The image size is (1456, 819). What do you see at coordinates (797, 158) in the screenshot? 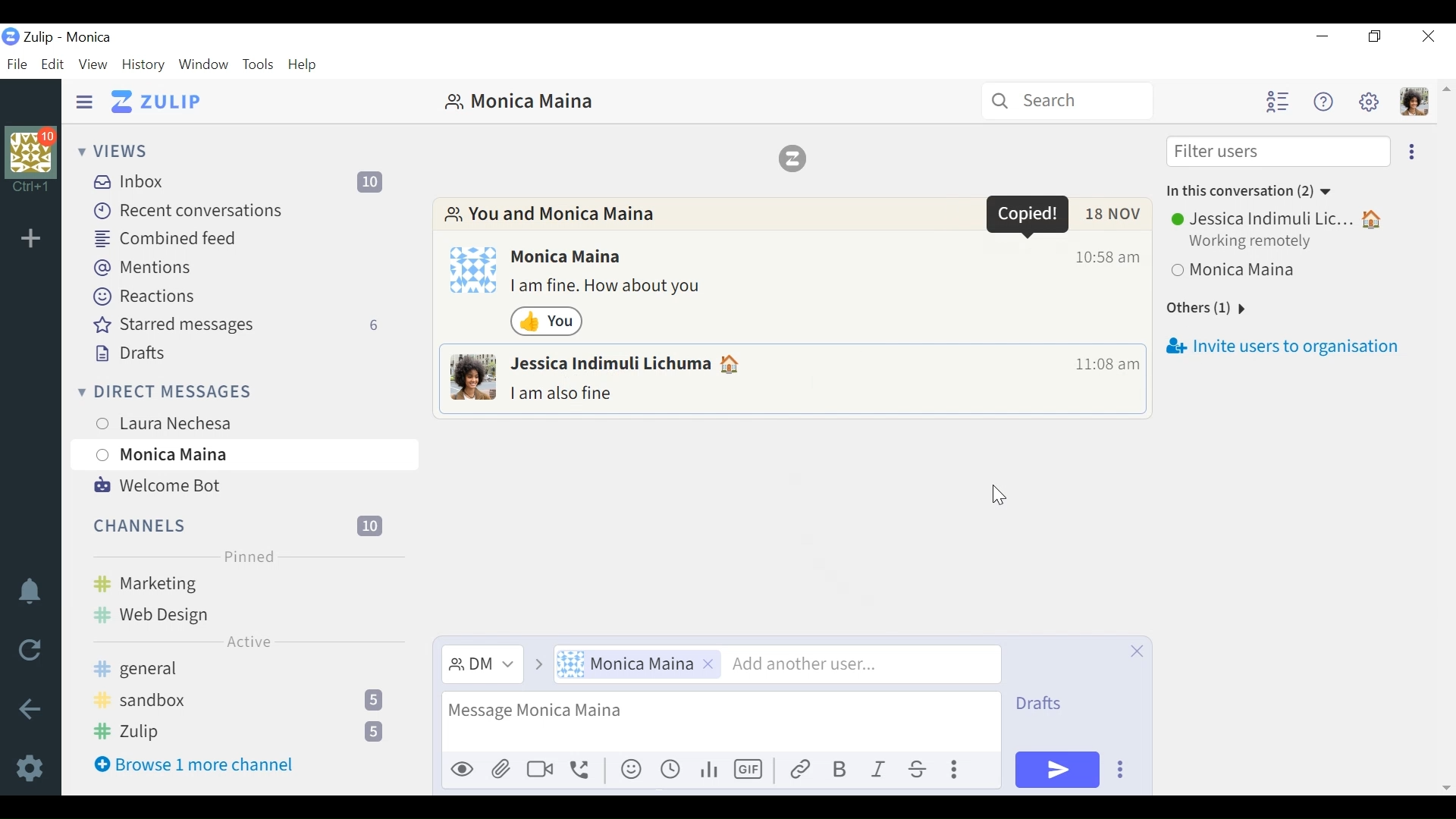
I see `Zulip logo` at bounding box center [797, 158].